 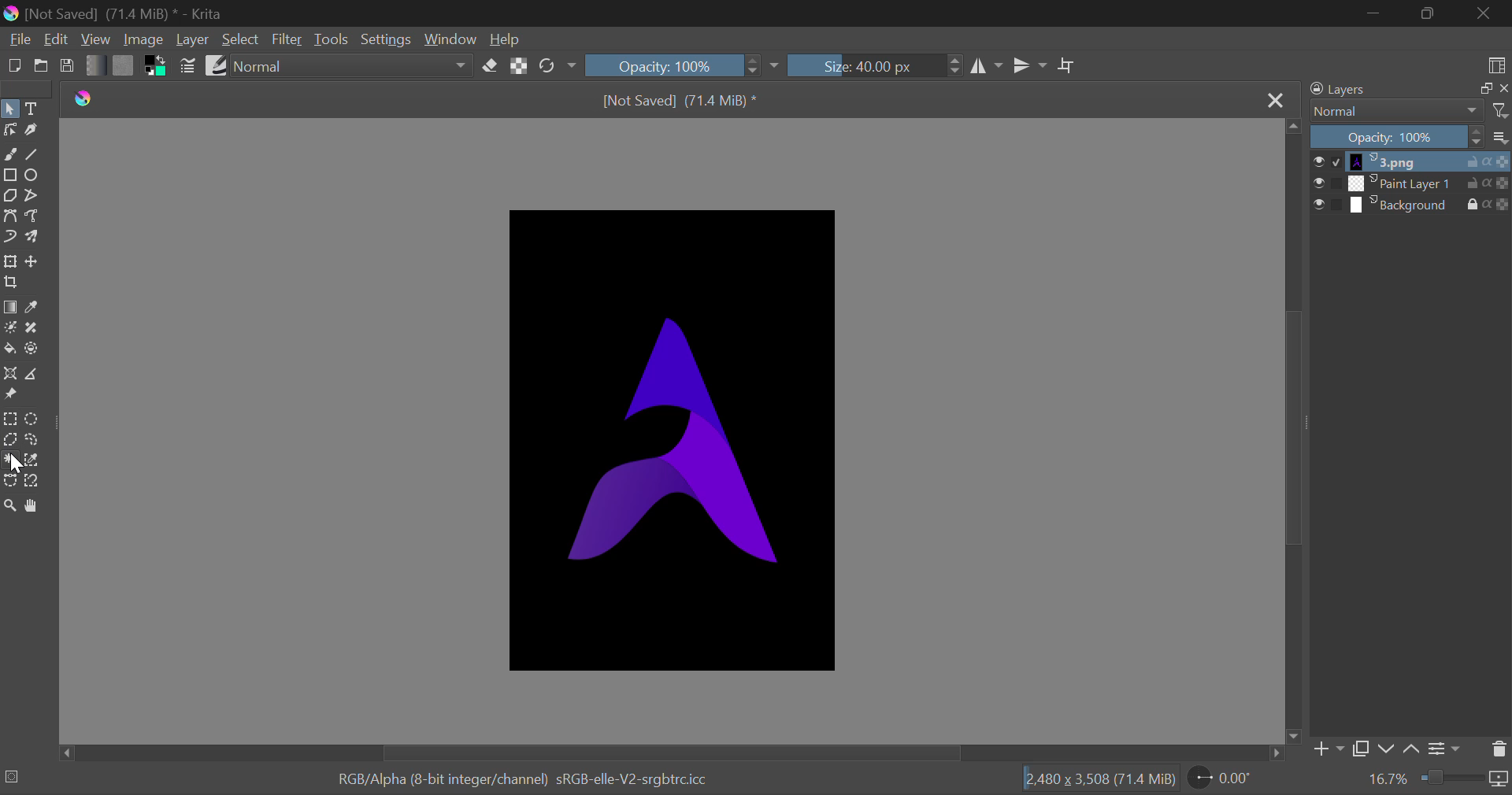 What do you see at coordinates (10, 130) in the screenshot?
I see `Edit Shape` at bounding box center [10, 130].